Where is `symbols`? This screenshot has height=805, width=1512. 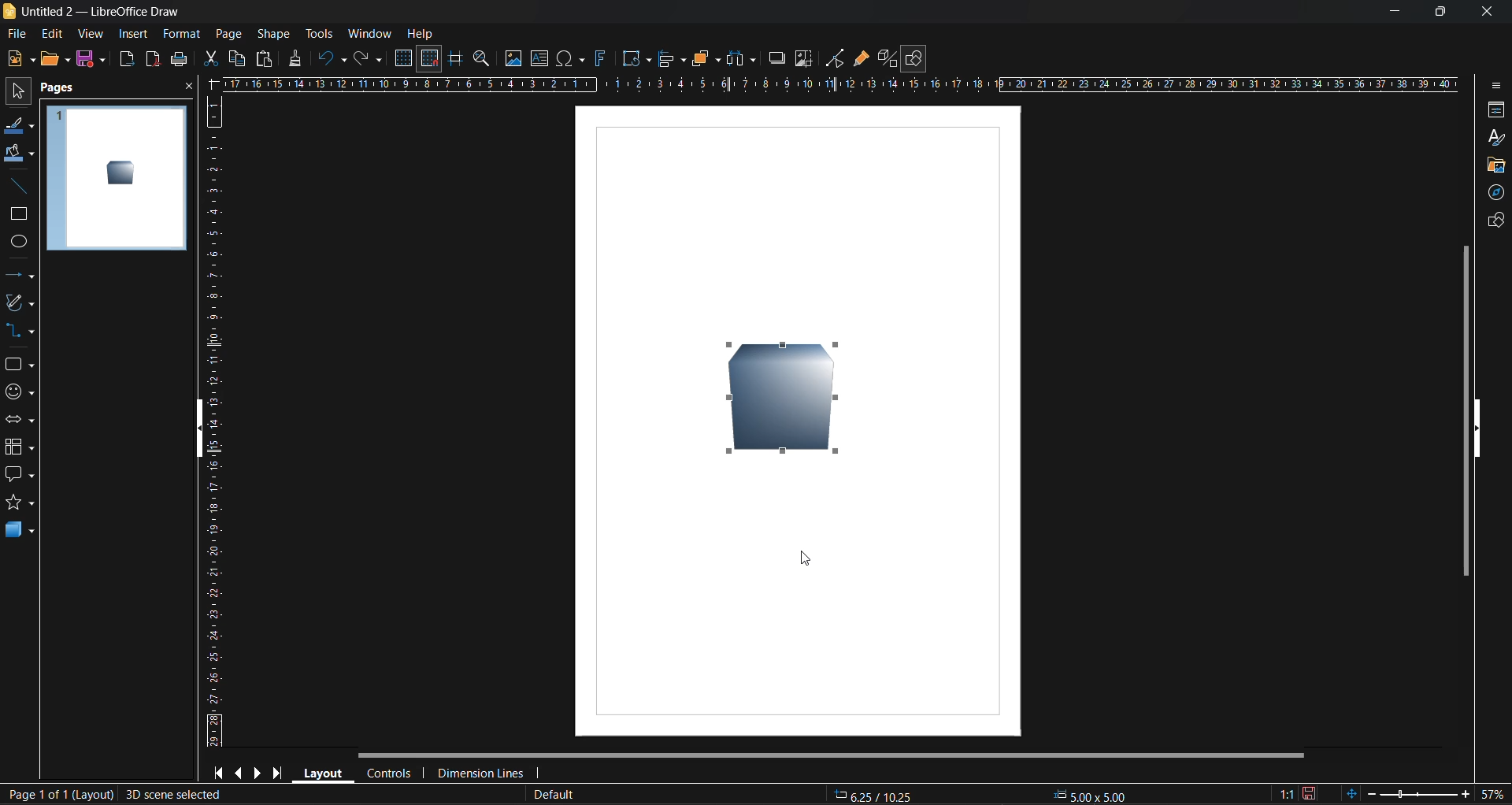
symbols is located at coordinates (17, 391).